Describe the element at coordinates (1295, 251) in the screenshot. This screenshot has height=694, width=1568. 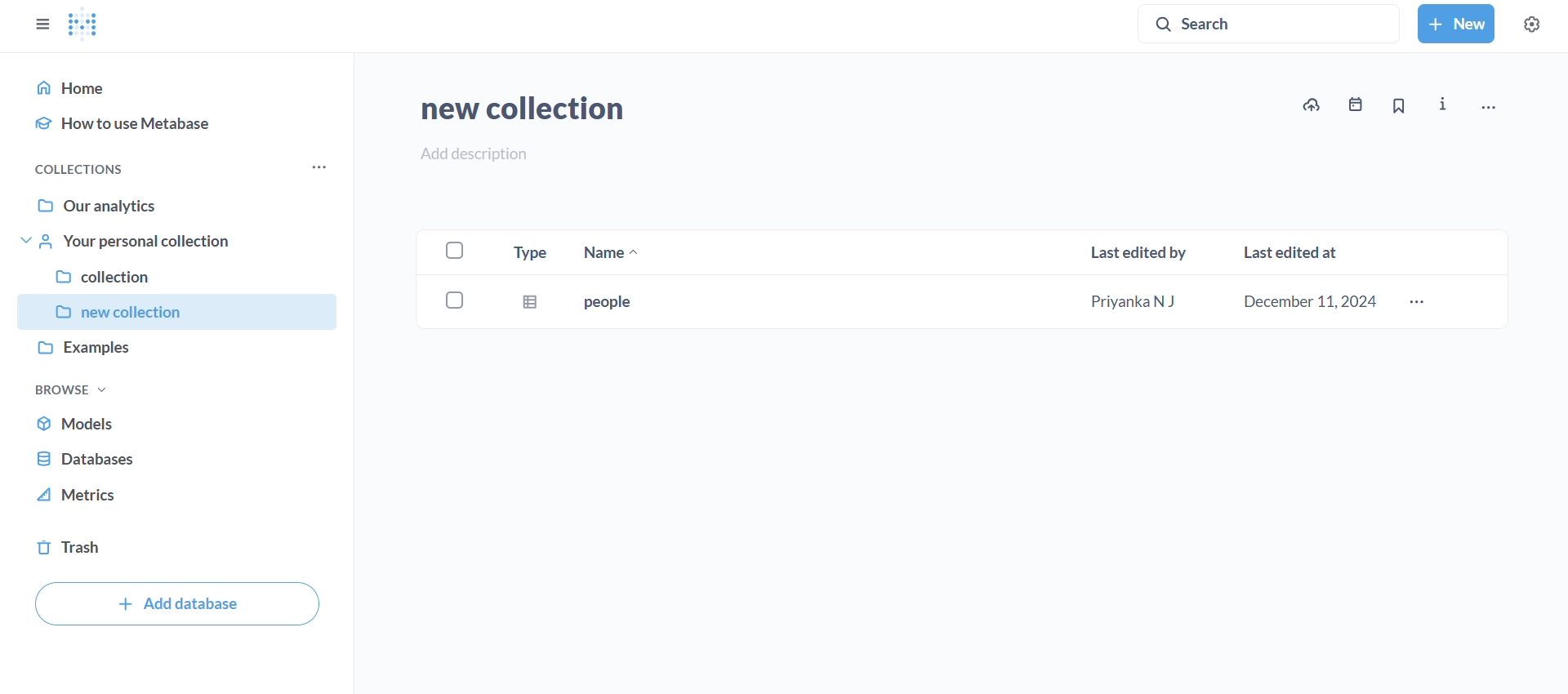
I see `last edited by` at that location.